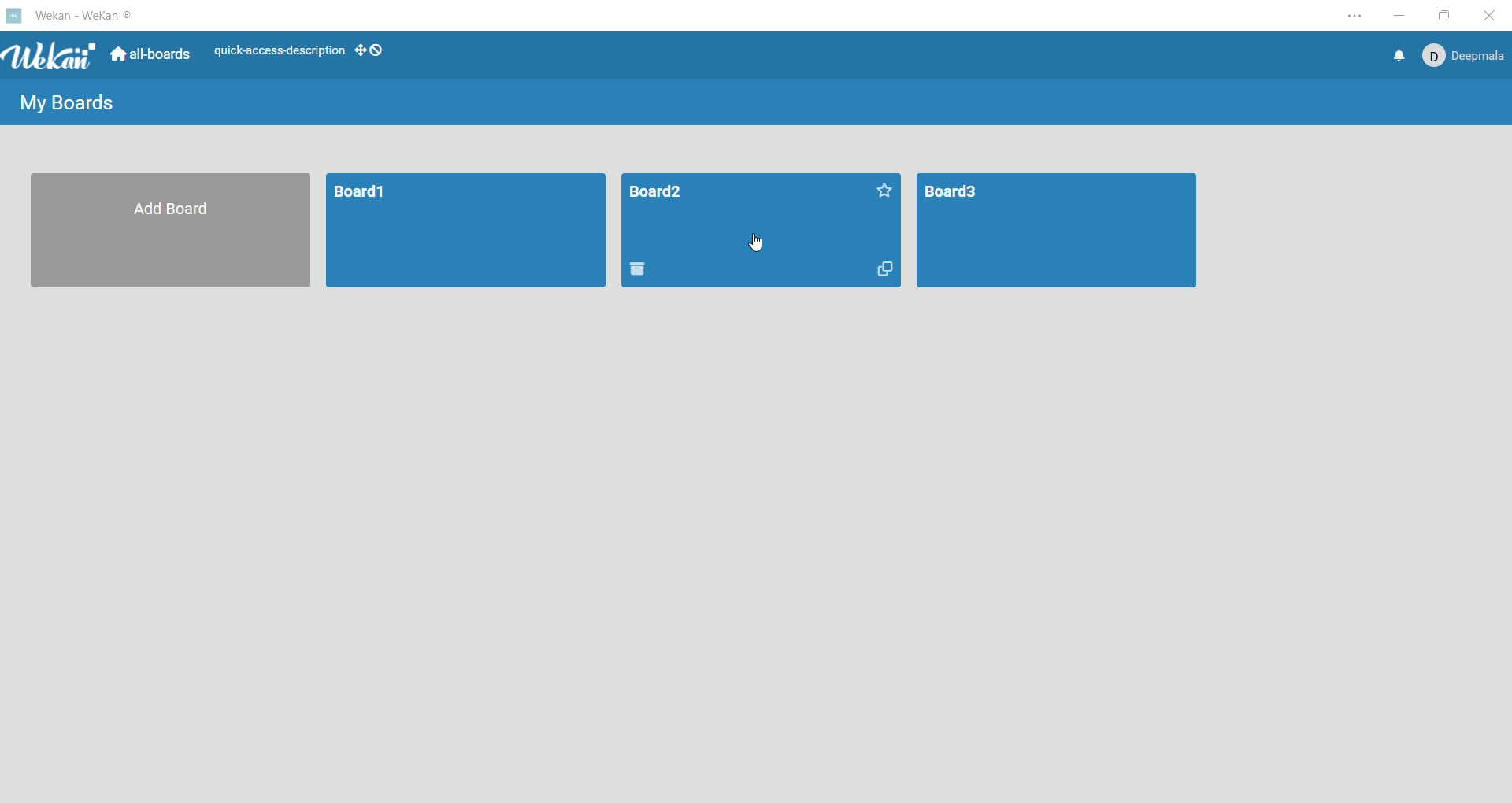 The width and height of the screenshot is (1512, 803). I want to click on board1, so click(357, 193).